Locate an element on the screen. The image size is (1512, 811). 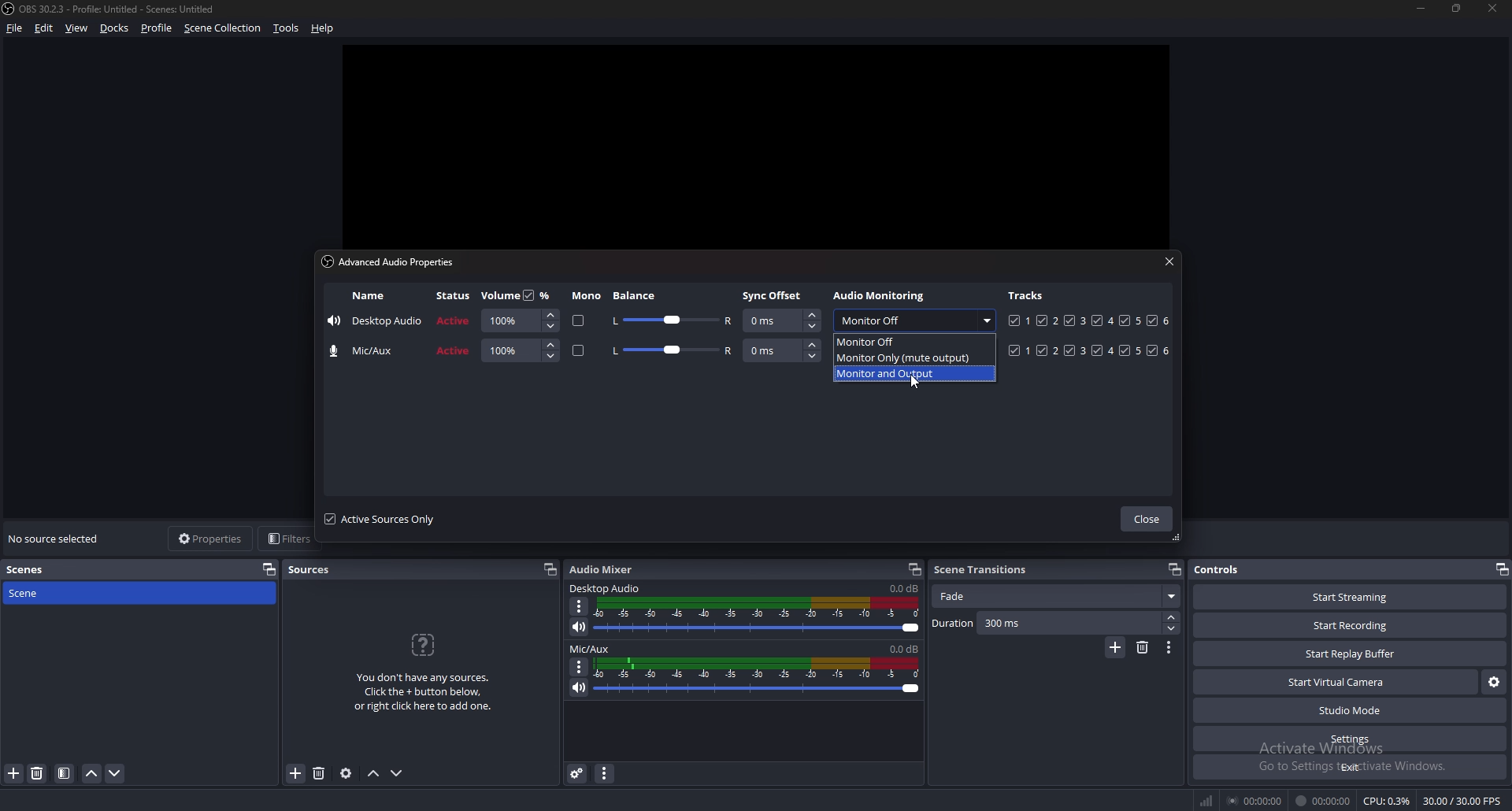
volume adjust is located at coordinates (758, 676).